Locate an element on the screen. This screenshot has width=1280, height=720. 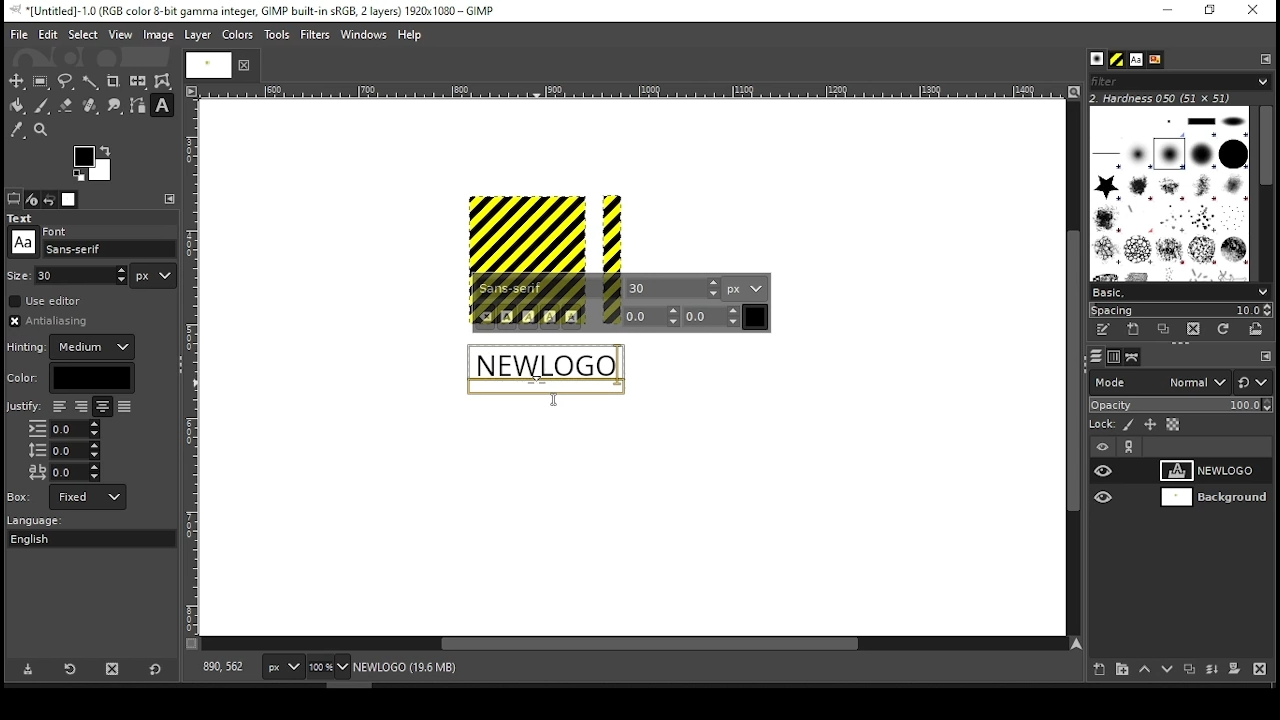
 is located at coordinates (1210, 500).